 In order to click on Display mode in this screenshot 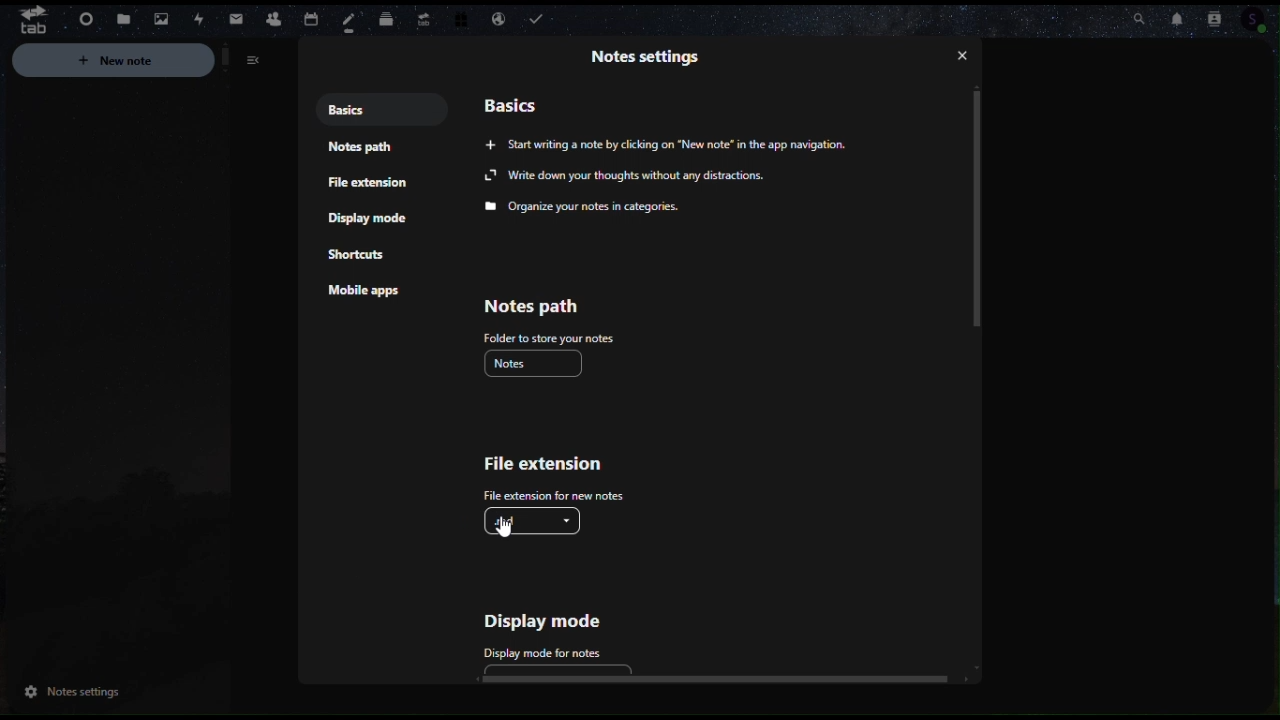, I will do `click(555, 620)`.